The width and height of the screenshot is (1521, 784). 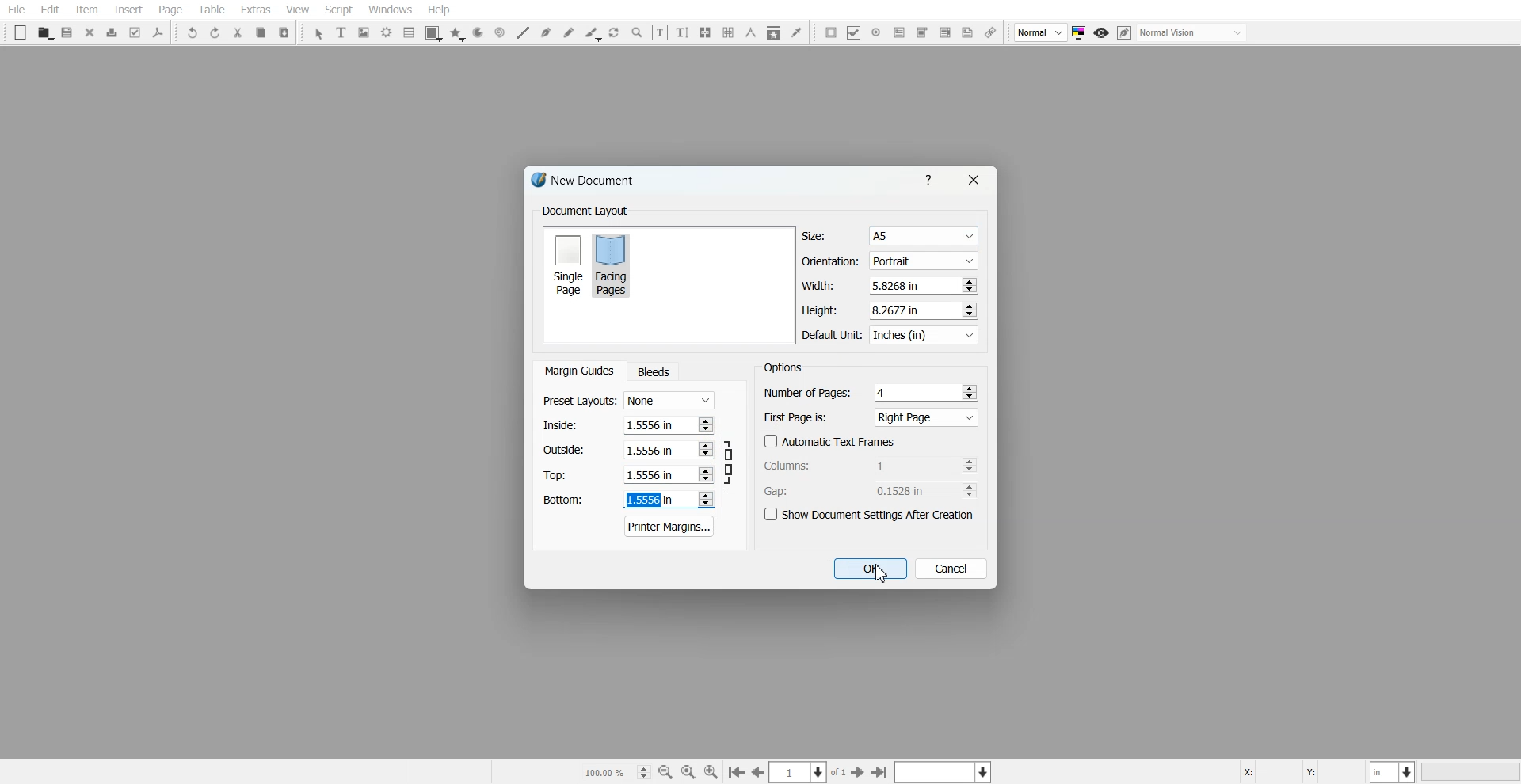 What do you see at coordinates (647, 449) in the screenshot?
I see `1.5556 in` at bounding box center [647, 449].